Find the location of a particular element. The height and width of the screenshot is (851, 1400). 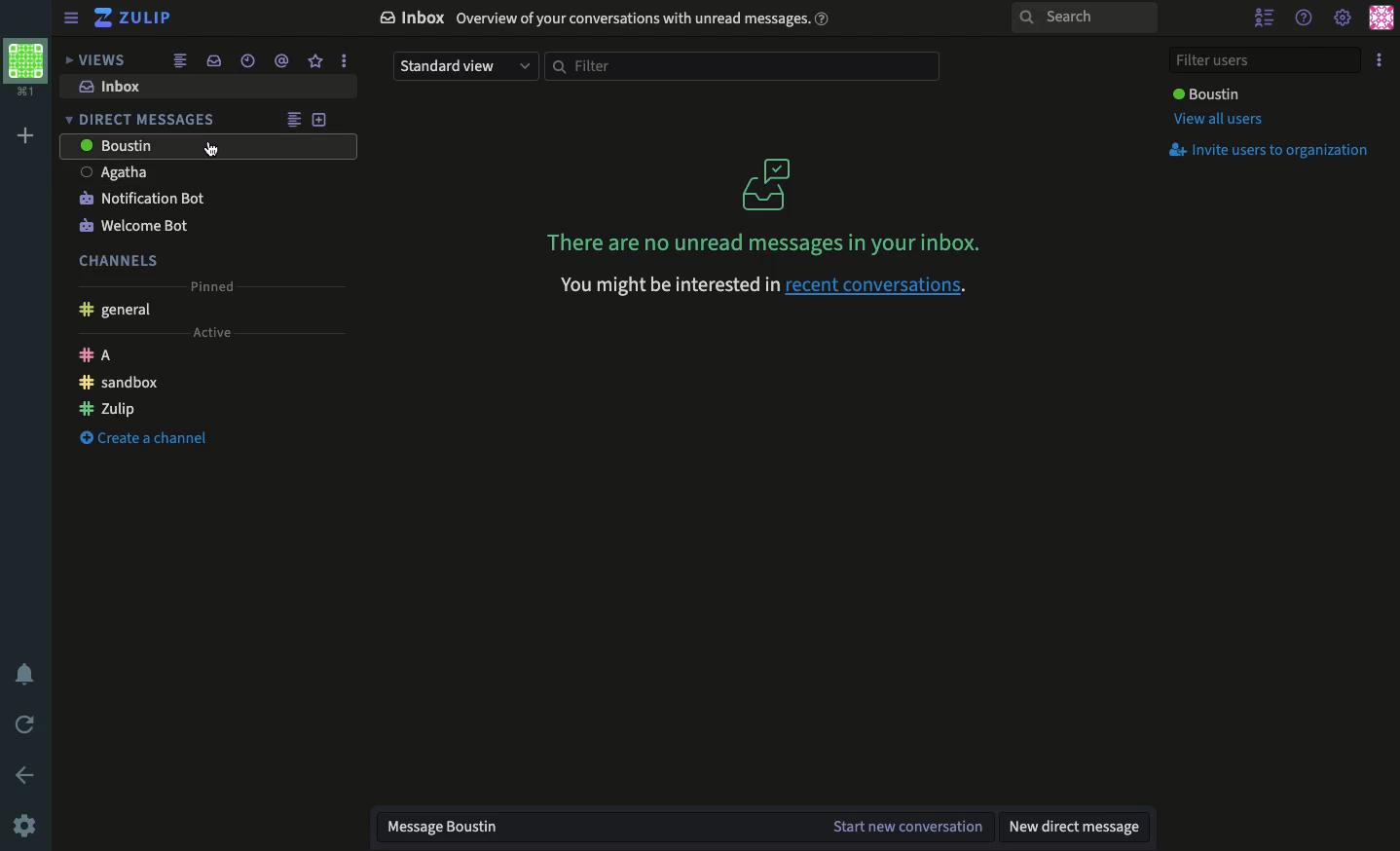

Inbox is located at coordinates (766, 231).